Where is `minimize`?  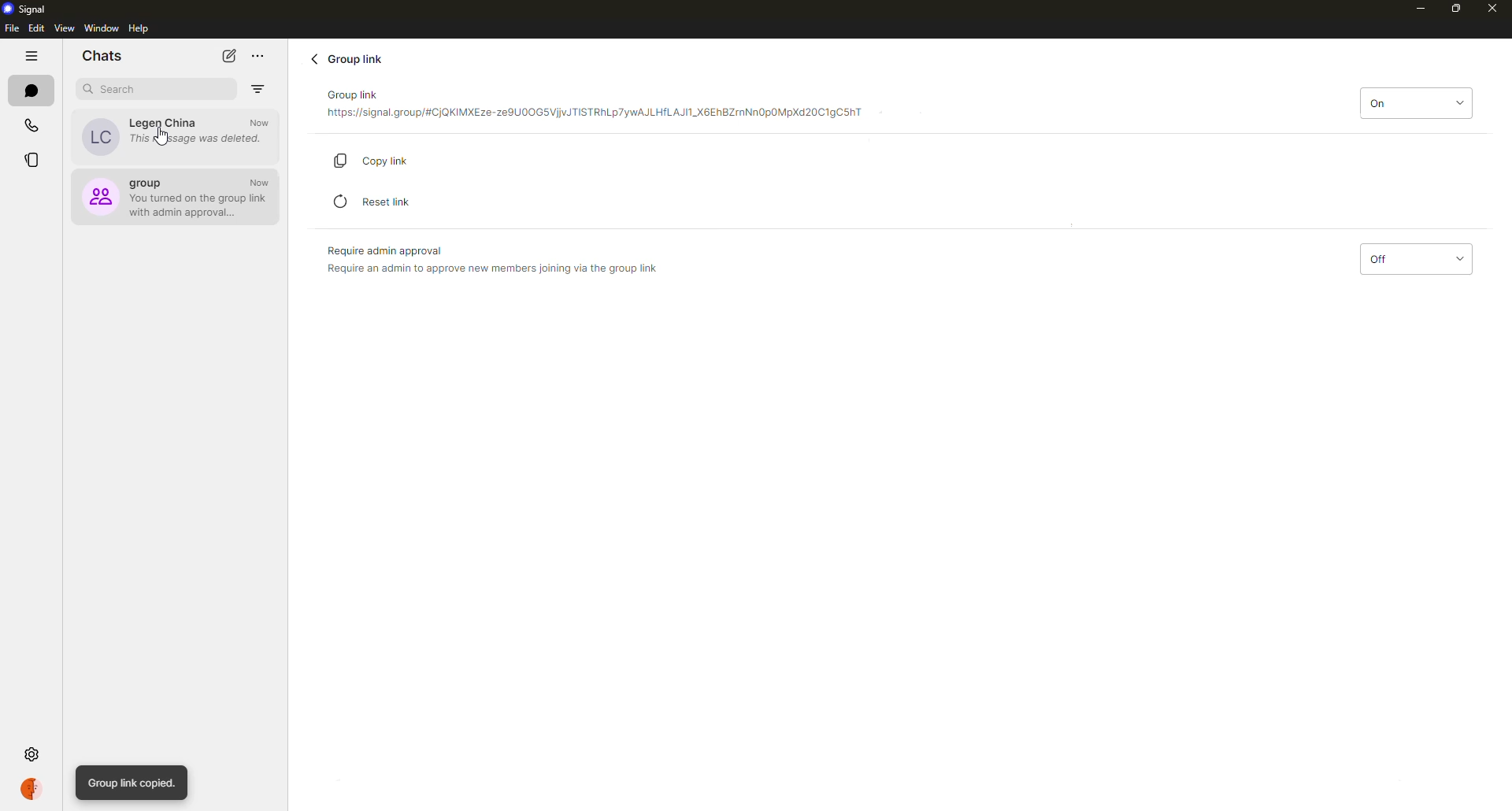 minimize is located at coordinates (1413, 8).